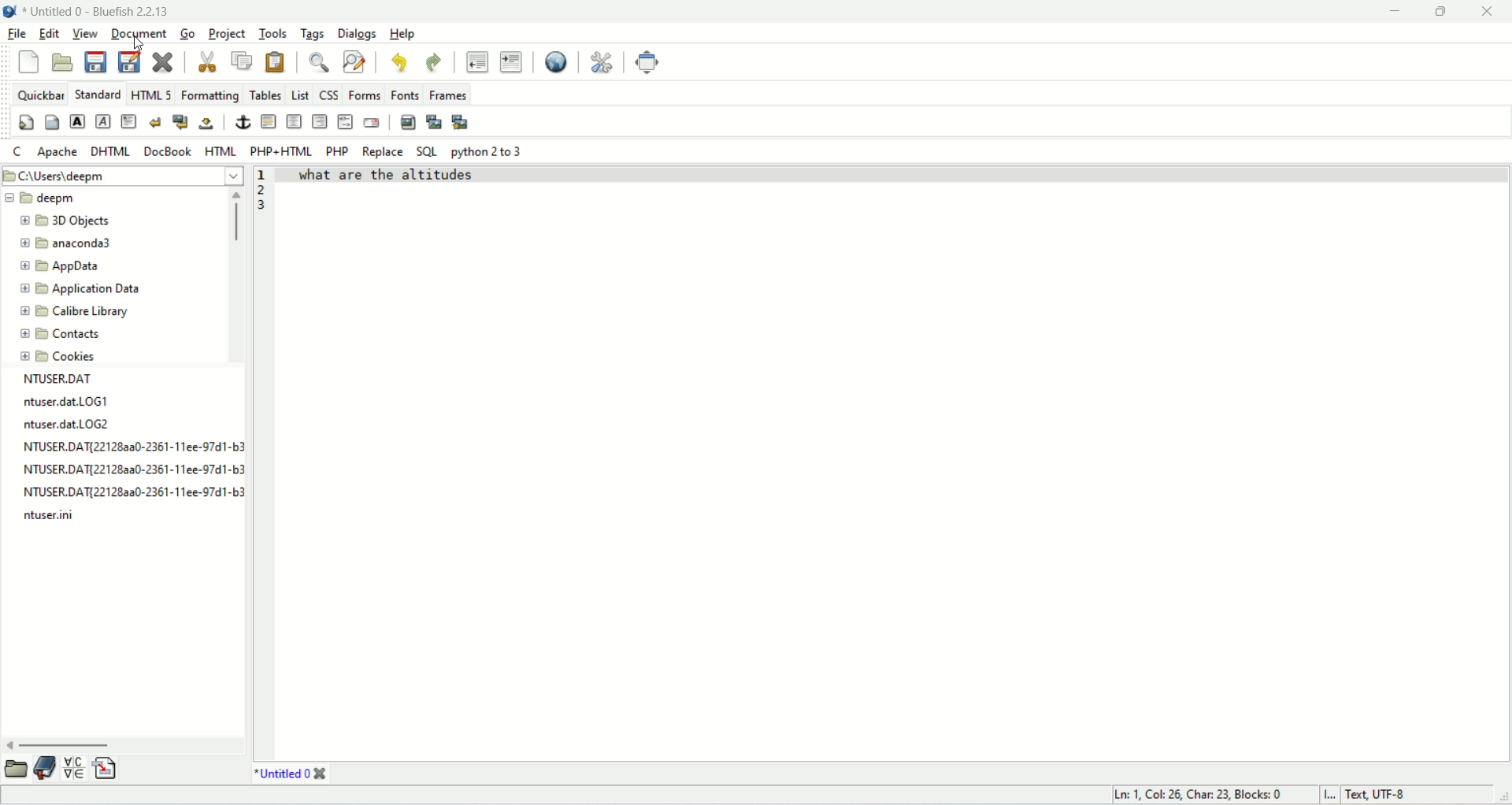 The width and height of the screenshot is (1512, 805). What do you see at coordinates (98, 13) in the screenshot?
I see `title` at bounding box center [98, 13].